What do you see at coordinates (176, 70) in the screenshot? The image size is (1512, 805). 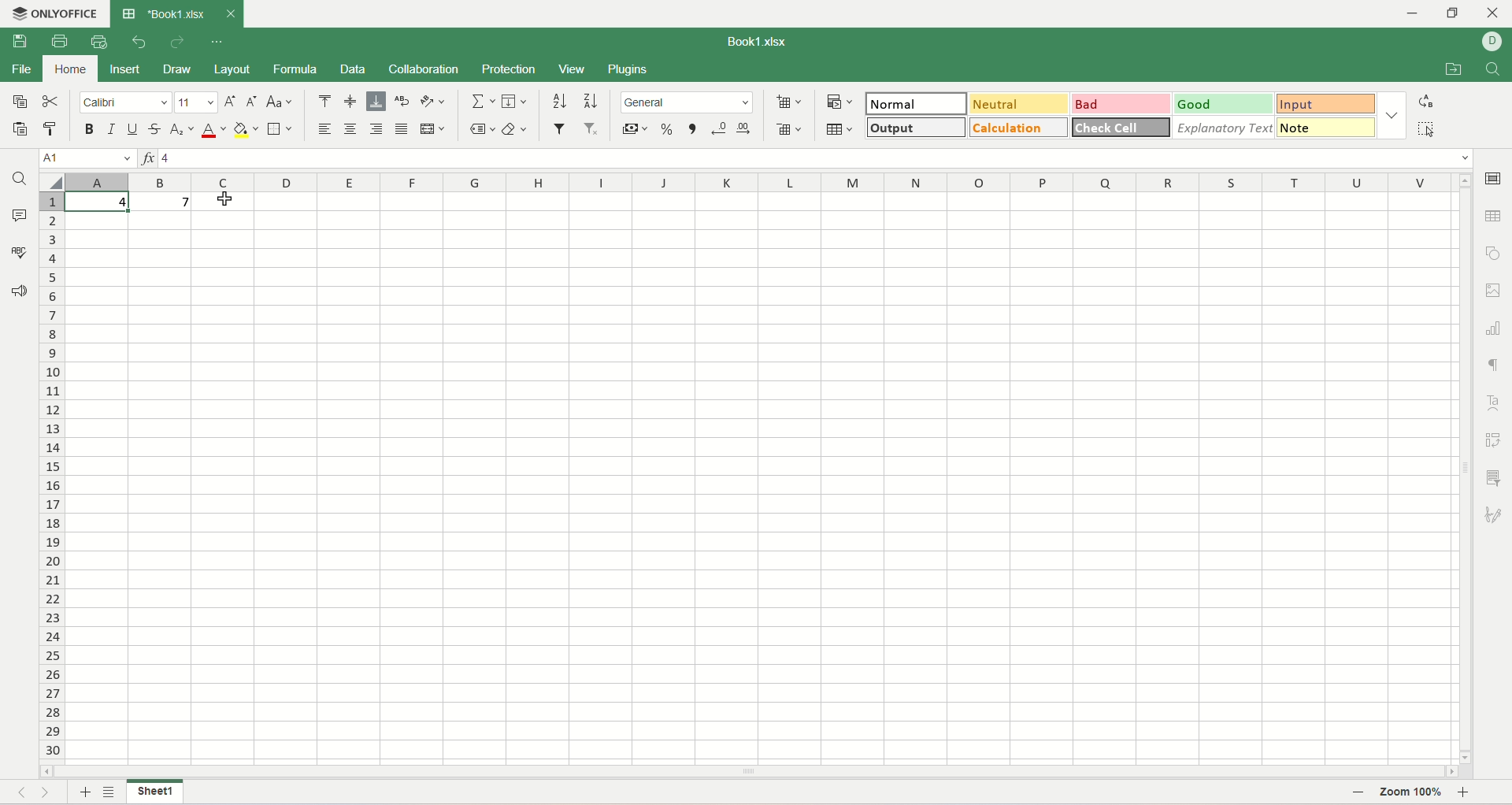 I see `draw` at bounding box center [176, 70].